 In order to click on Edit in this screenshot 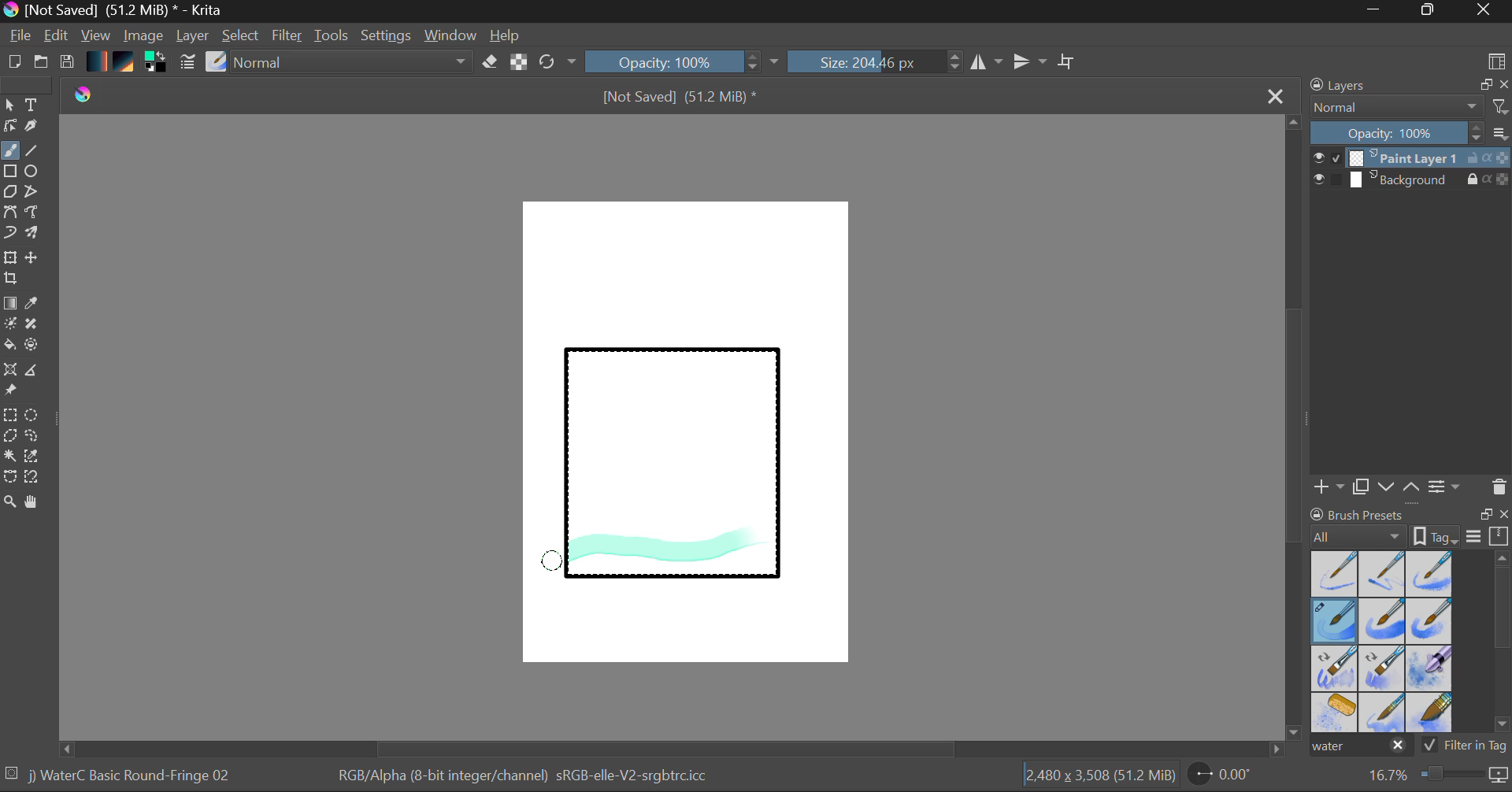, I will do `click(57, 37)`.